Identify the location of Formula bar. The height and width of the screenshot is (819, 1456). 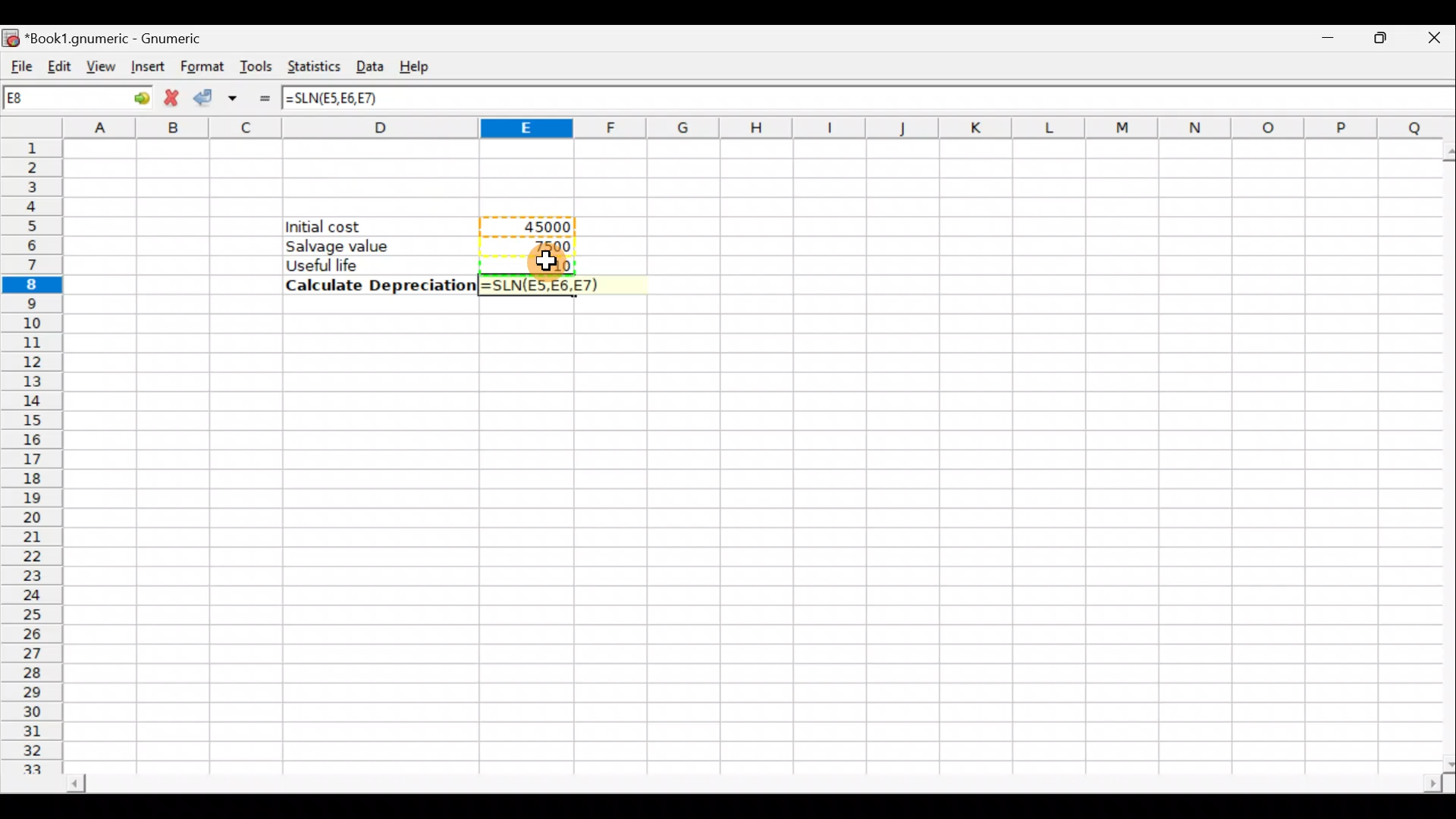
(927, 100).